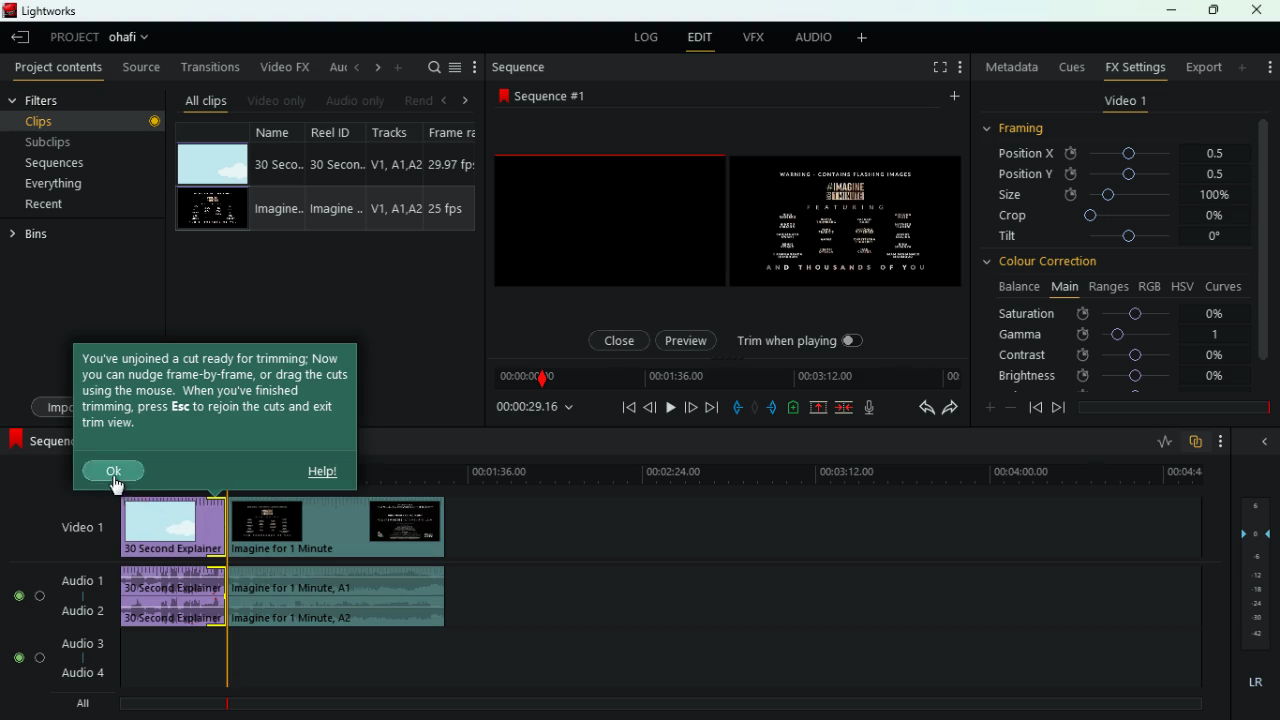  I want to click on hold, so click(757, 410).